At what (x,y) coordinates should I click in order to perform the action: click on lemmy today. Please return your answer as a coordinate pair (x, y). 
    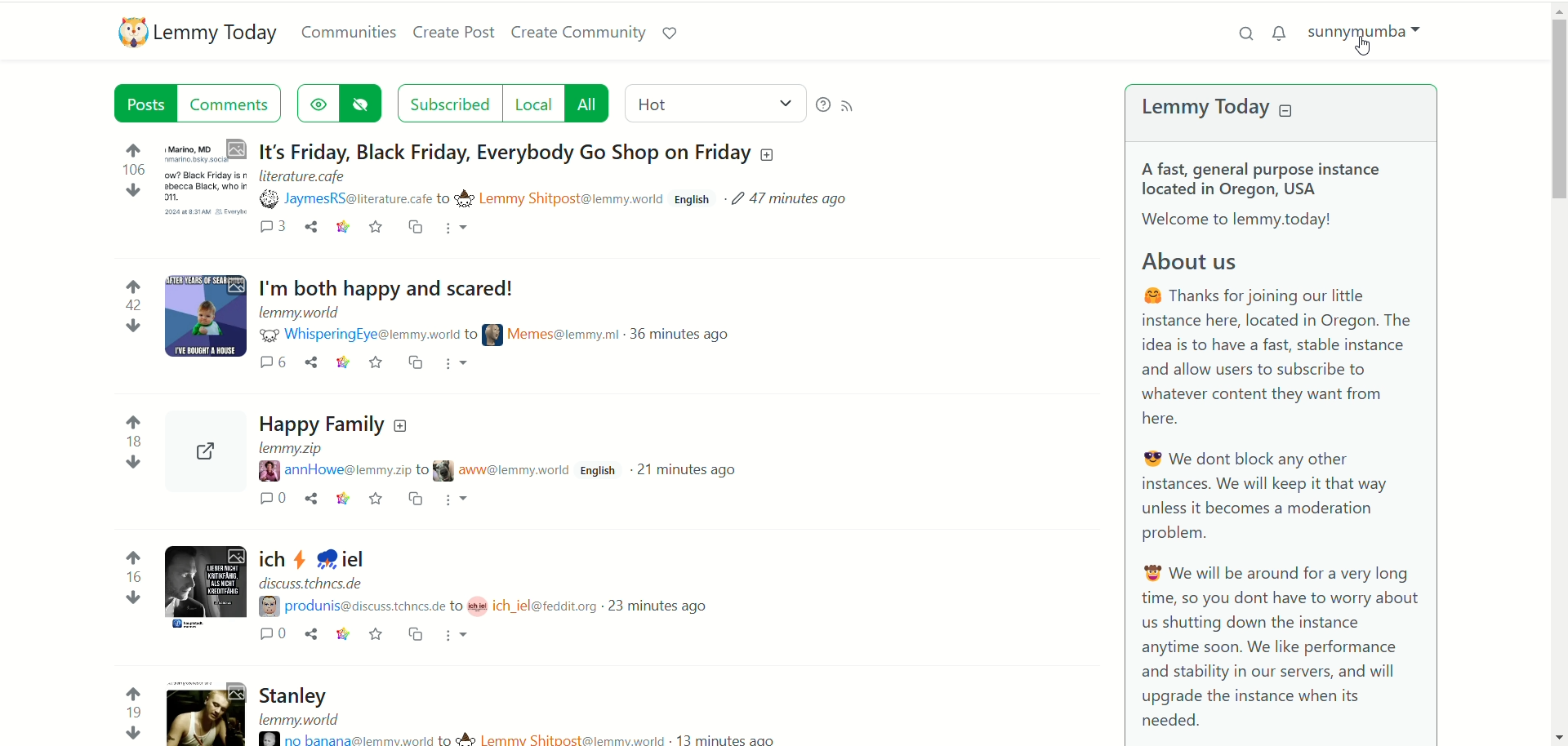
    Looking at the image, I should click on (218, 34).